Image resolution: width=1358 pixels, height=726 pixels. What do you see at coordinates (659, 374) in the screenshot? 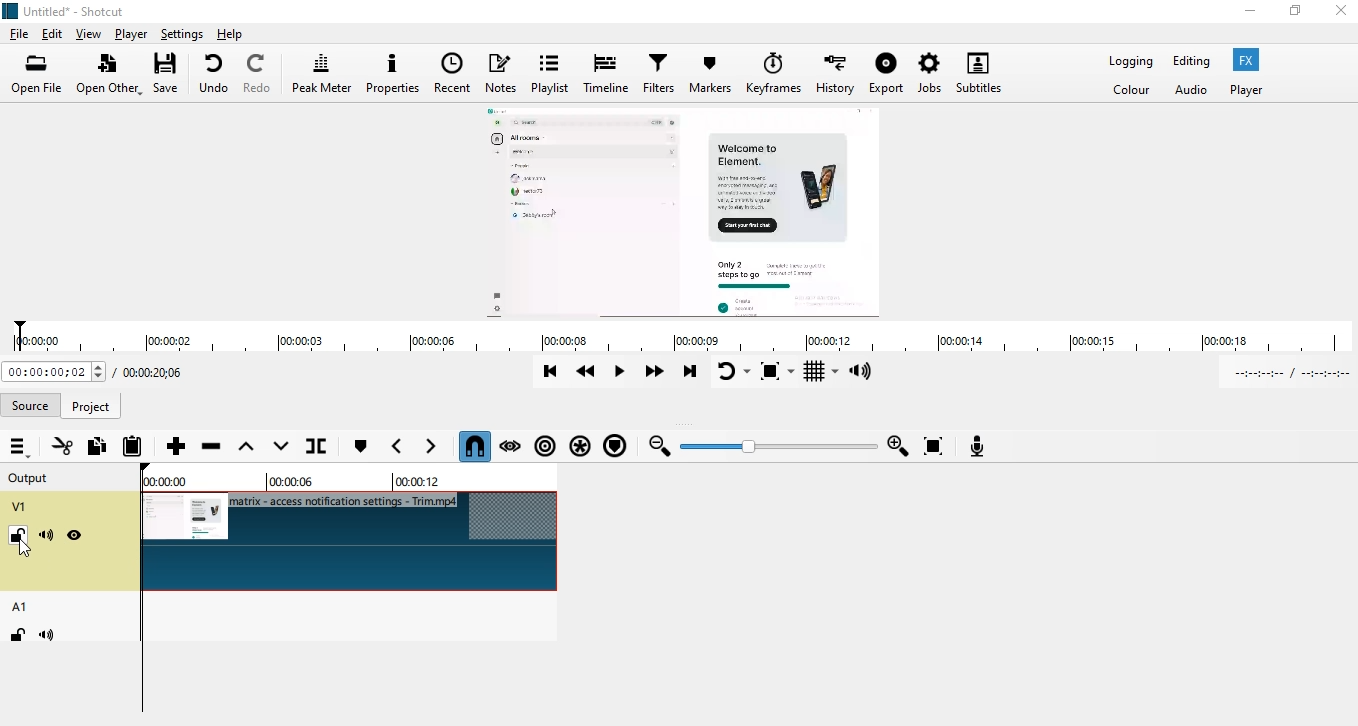
I see `Play quickly forward` at bounding box center [659, 374].